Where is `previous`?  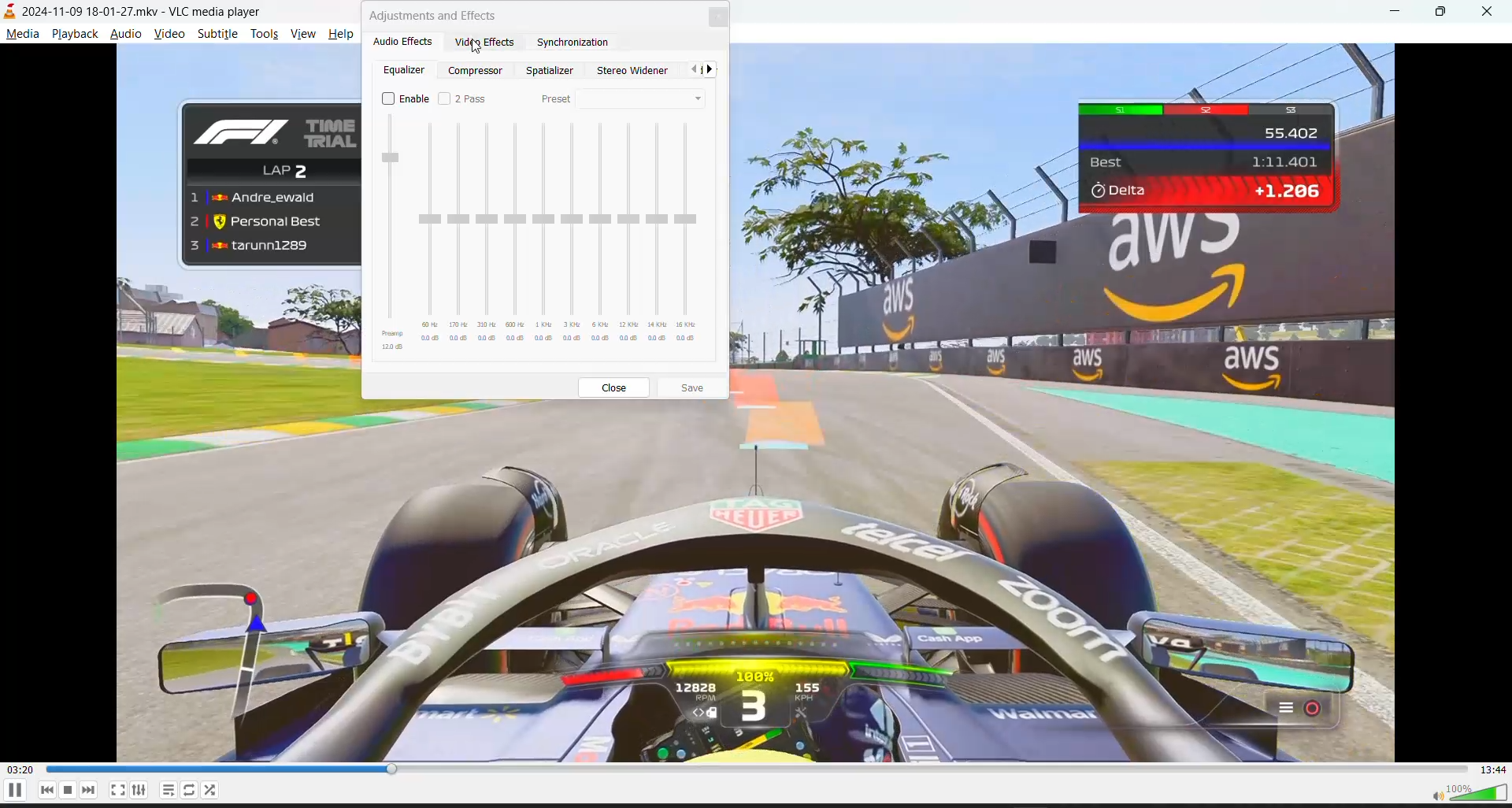 previous is located at coordinates (693, 70).